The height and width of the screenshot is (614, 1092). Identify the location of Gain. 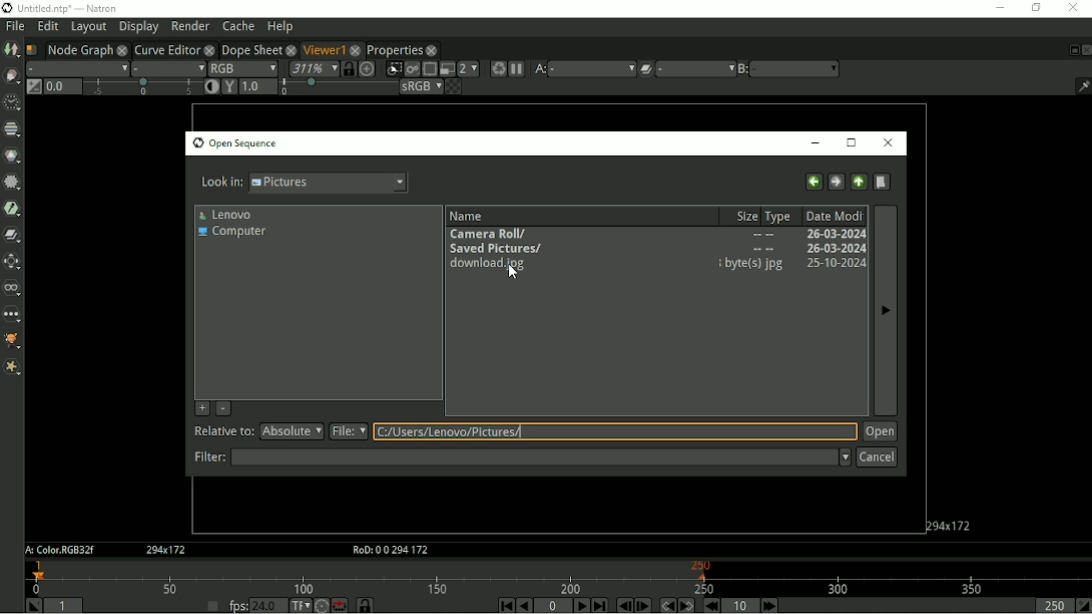
(61, 86).